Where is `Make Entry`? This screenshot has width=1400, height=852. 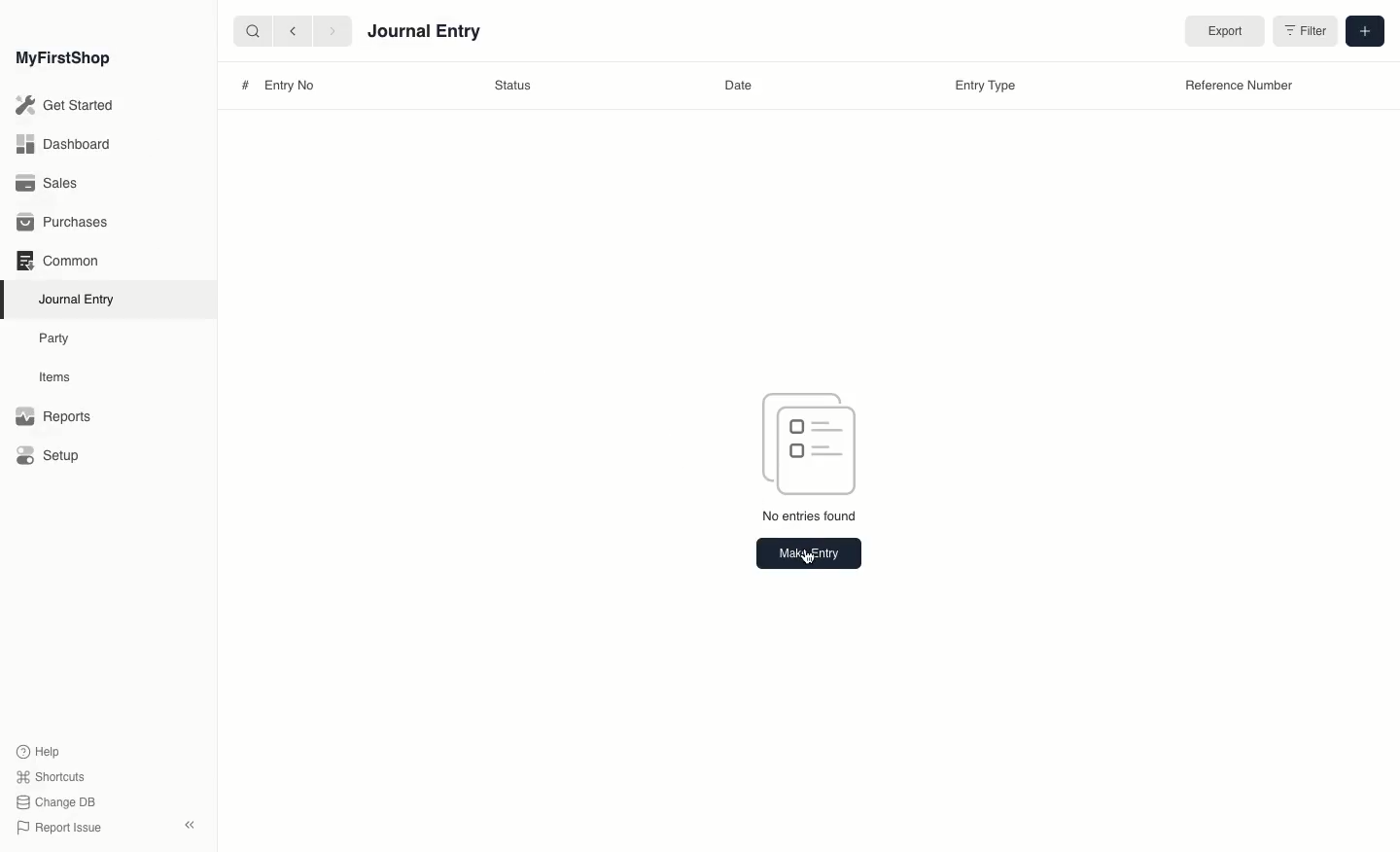
Make Entry is located at coordinates (810, 554).